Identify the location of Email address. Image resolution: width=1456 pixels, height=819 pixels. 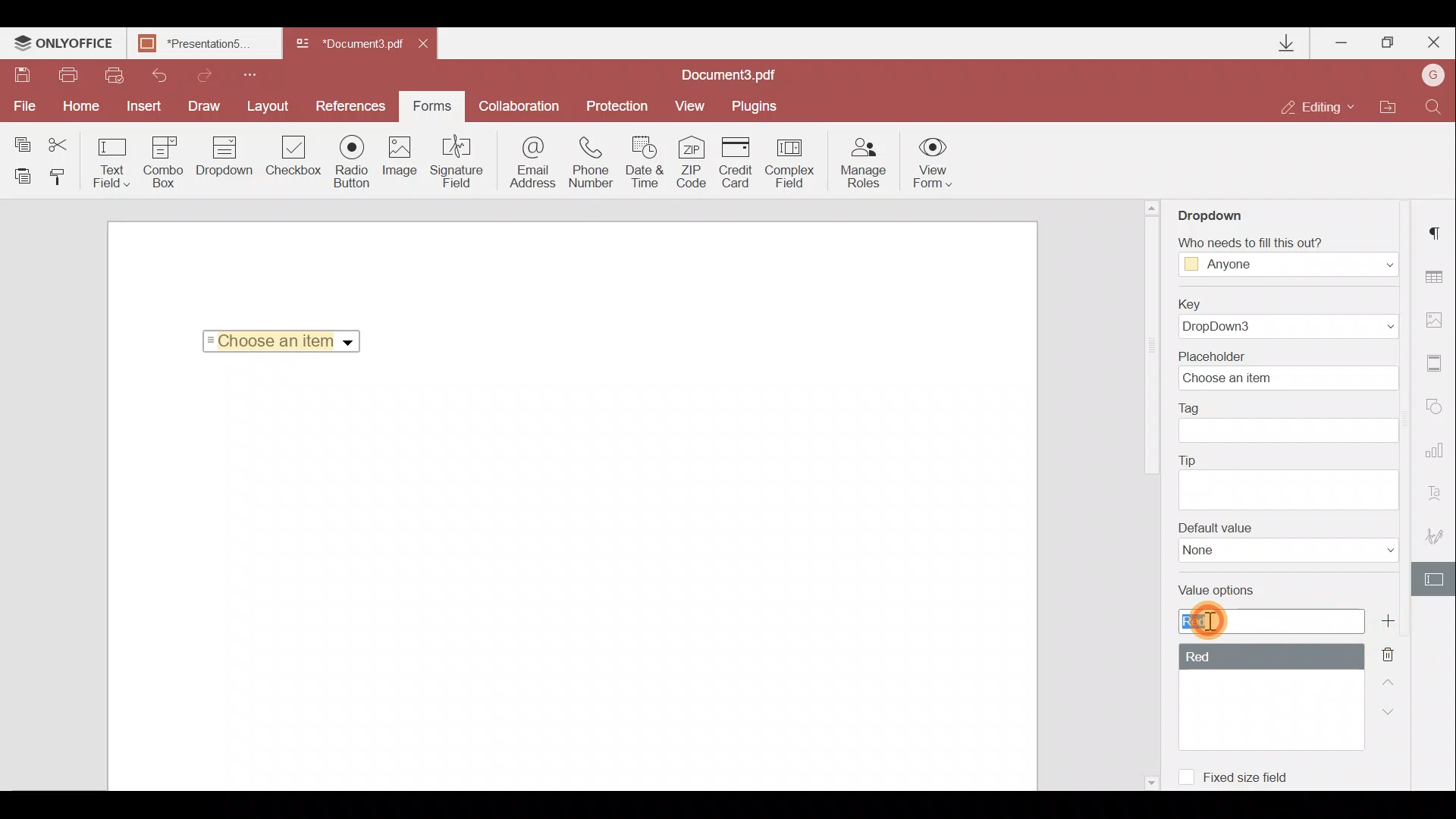
(527, 166).